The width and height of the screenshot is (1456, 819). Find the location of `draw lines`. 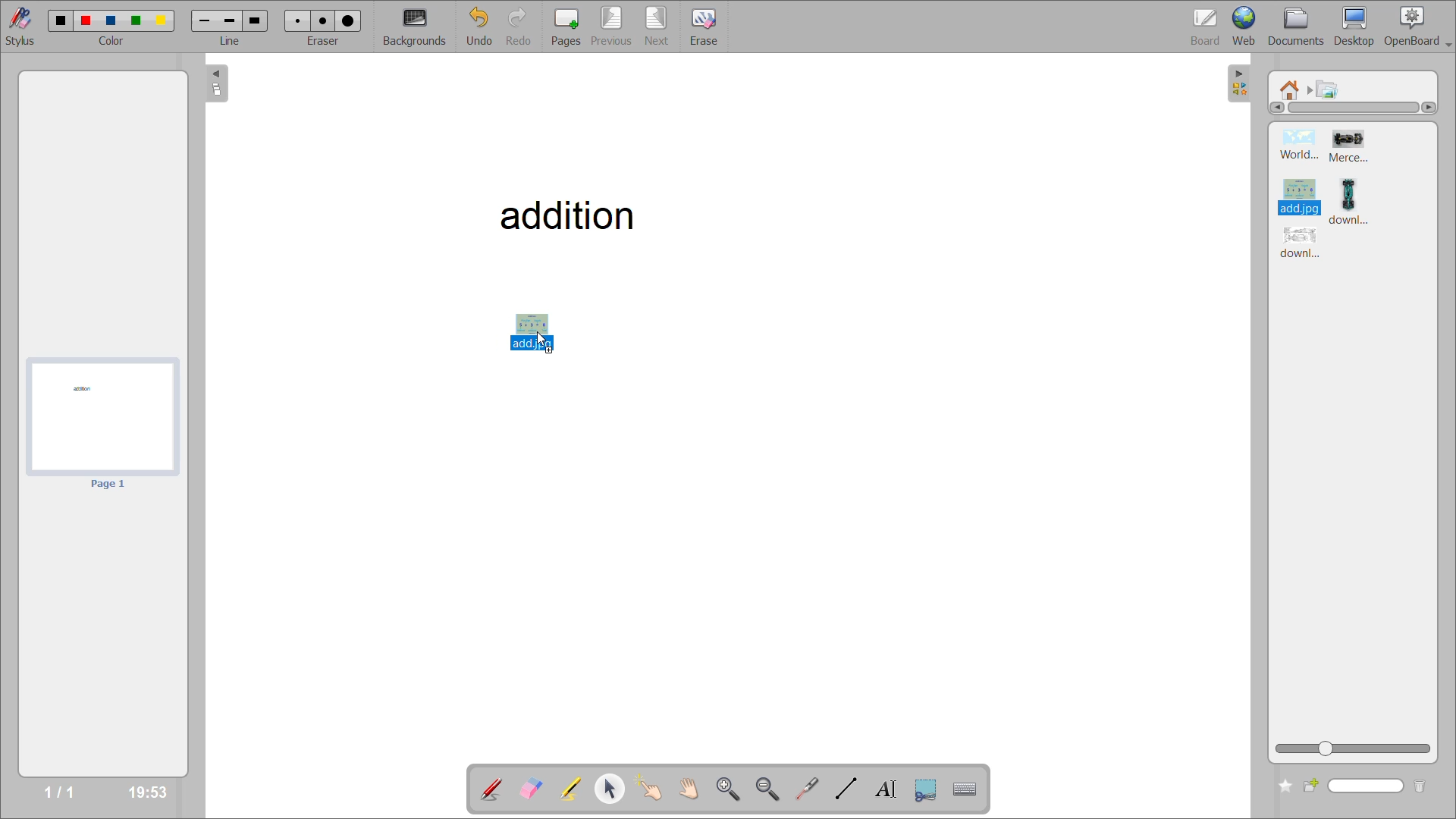

draw lines is located at coordinates (849, 790).